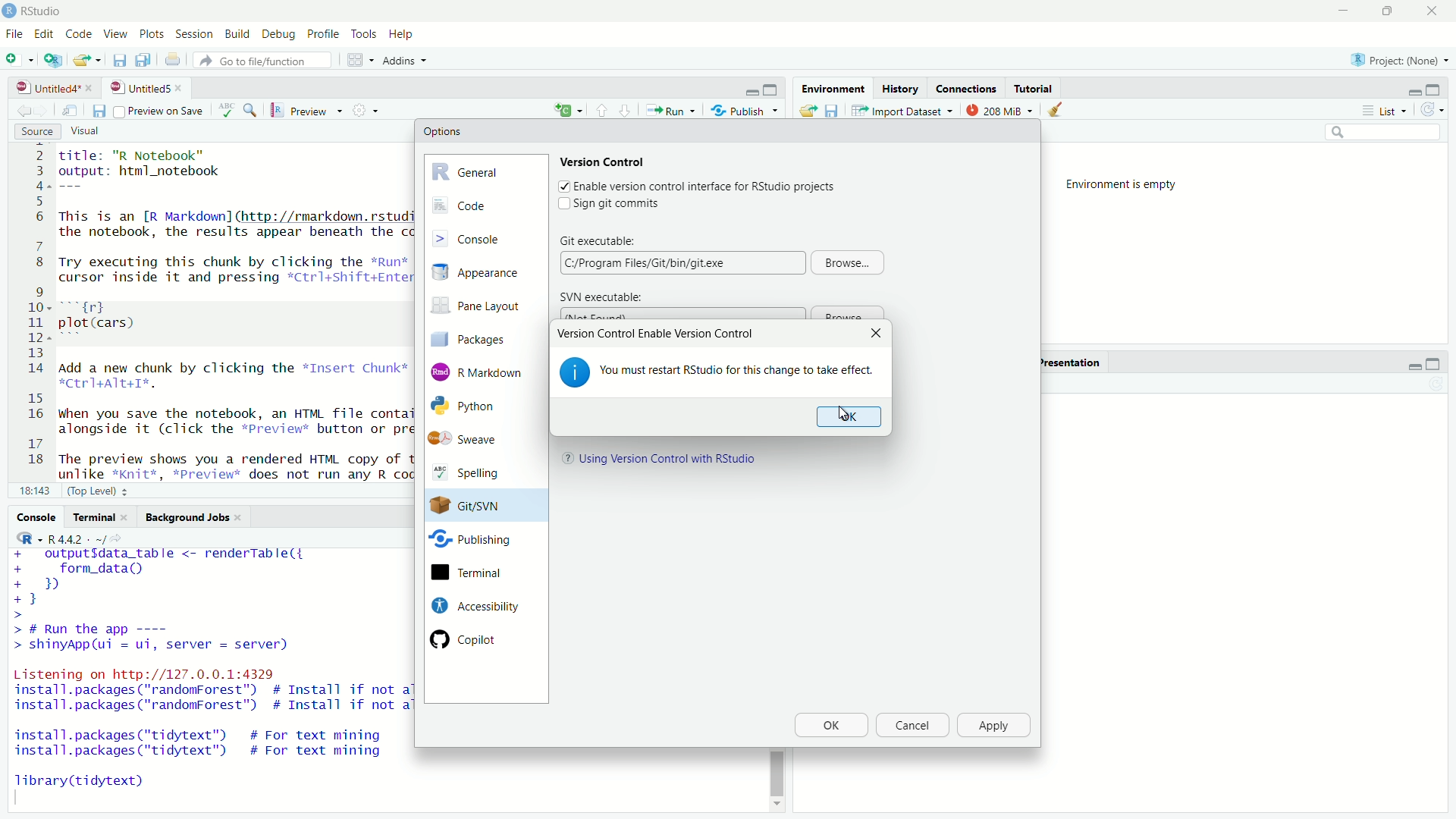  I want to click on Terminal, so click(100, 517).